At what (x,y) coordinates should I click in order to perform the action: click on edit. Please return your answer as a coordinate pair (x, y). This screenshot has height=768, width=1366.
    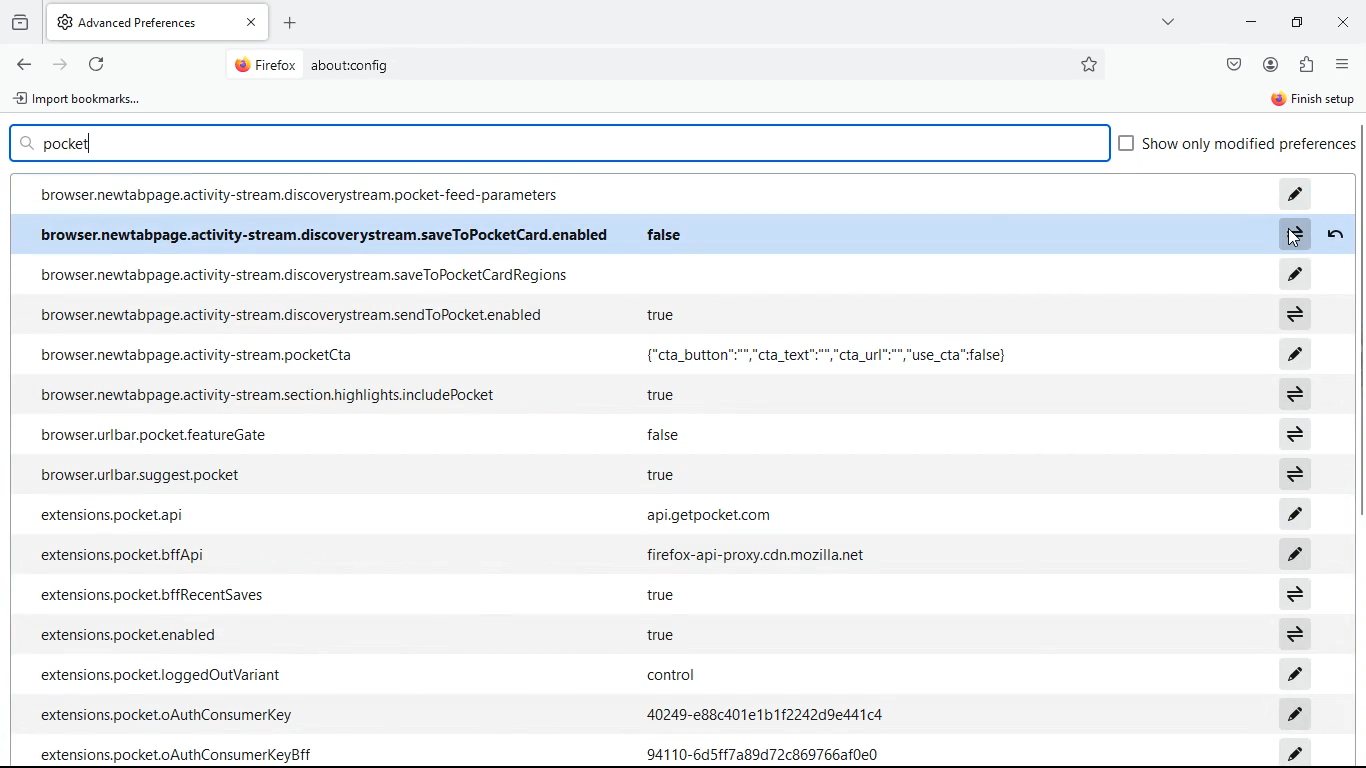
    Looking at the image, I should click on (1293, 273).